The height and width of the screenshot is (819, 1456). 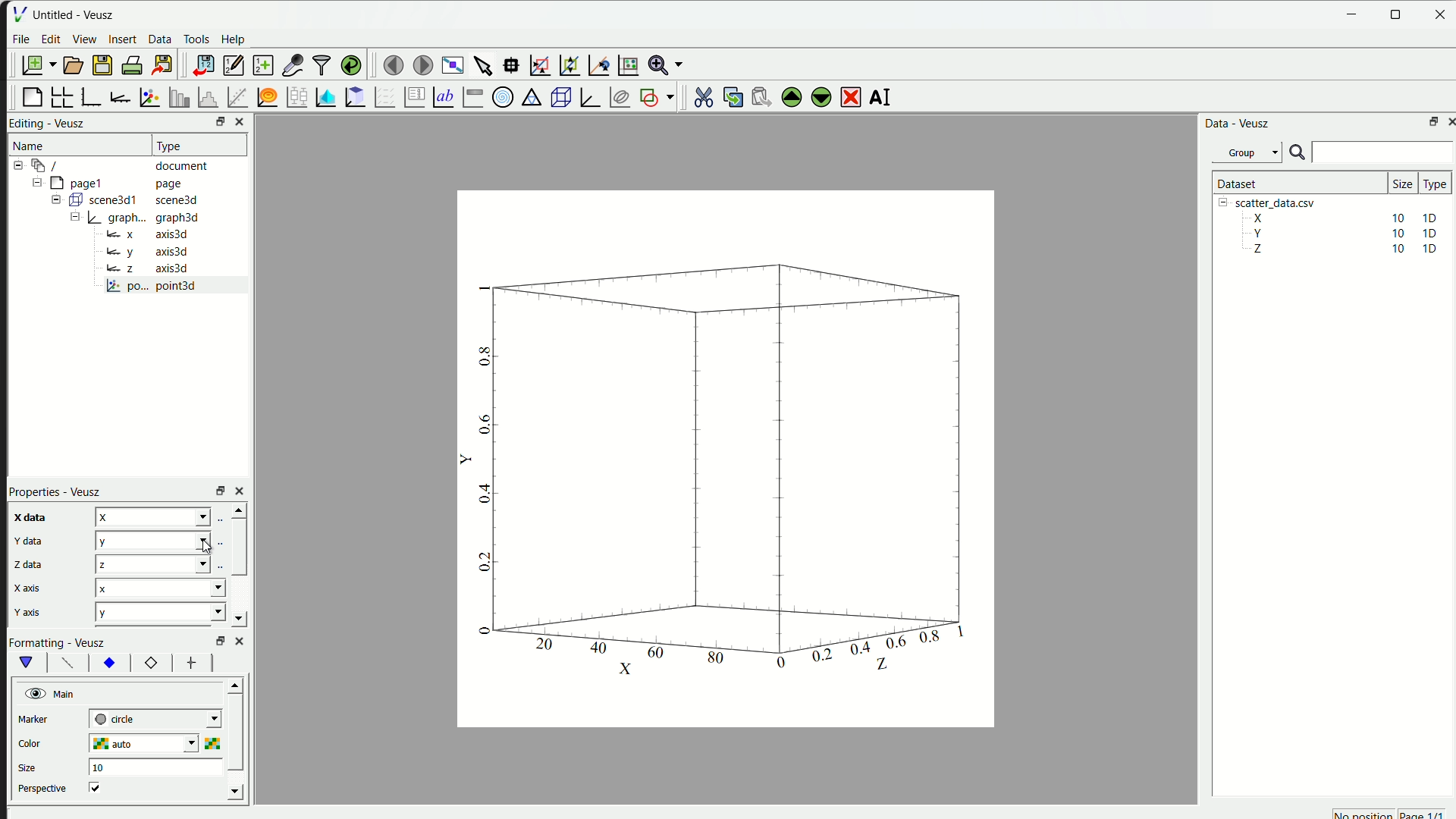 I want to click on Veusz, so click(x=71, y=122).